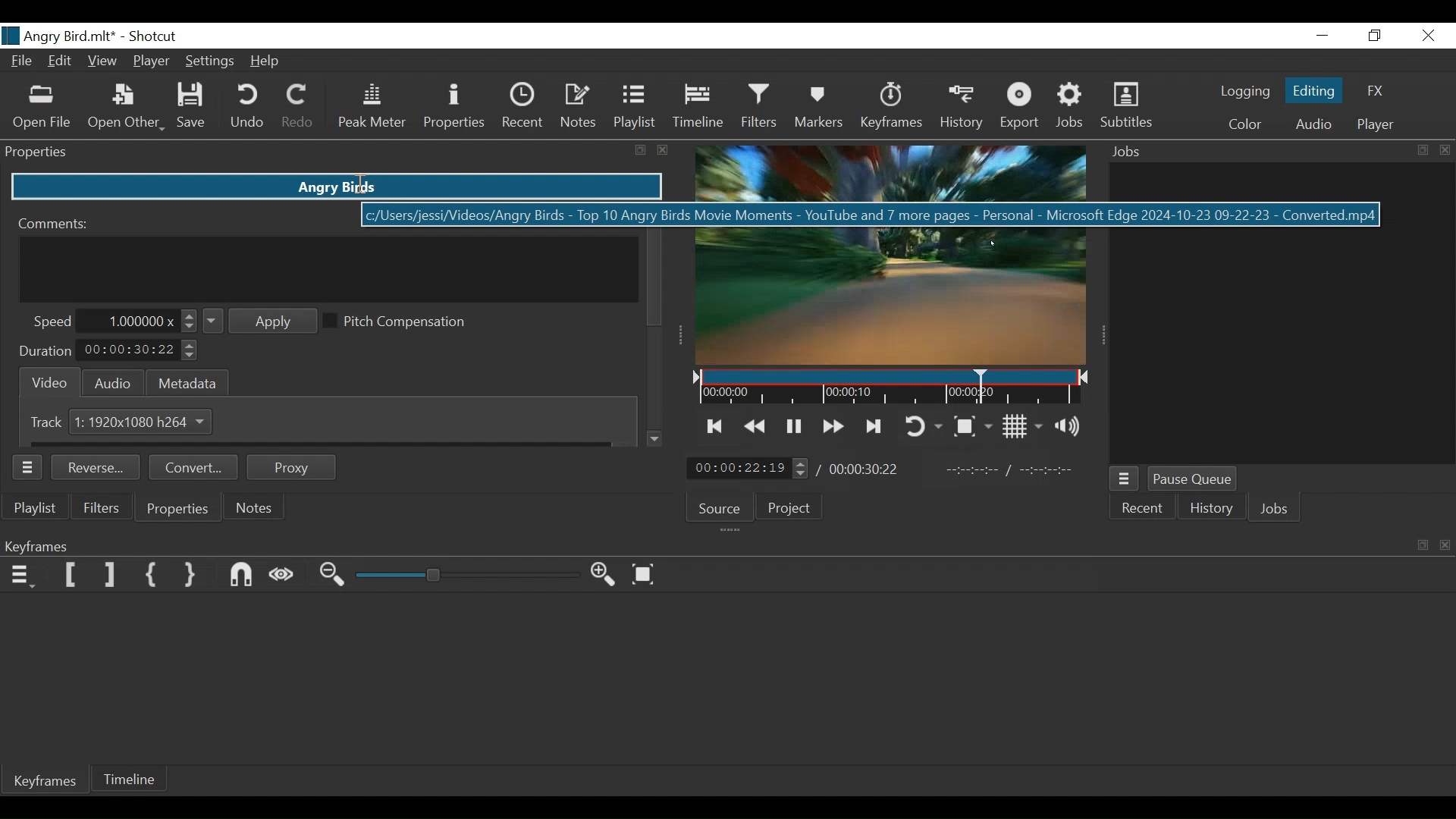 The height and width of the screenshot is (819, 1456). Describe the element at coordinates (247, 108) in the screenshot. I see `Undo` at that location.